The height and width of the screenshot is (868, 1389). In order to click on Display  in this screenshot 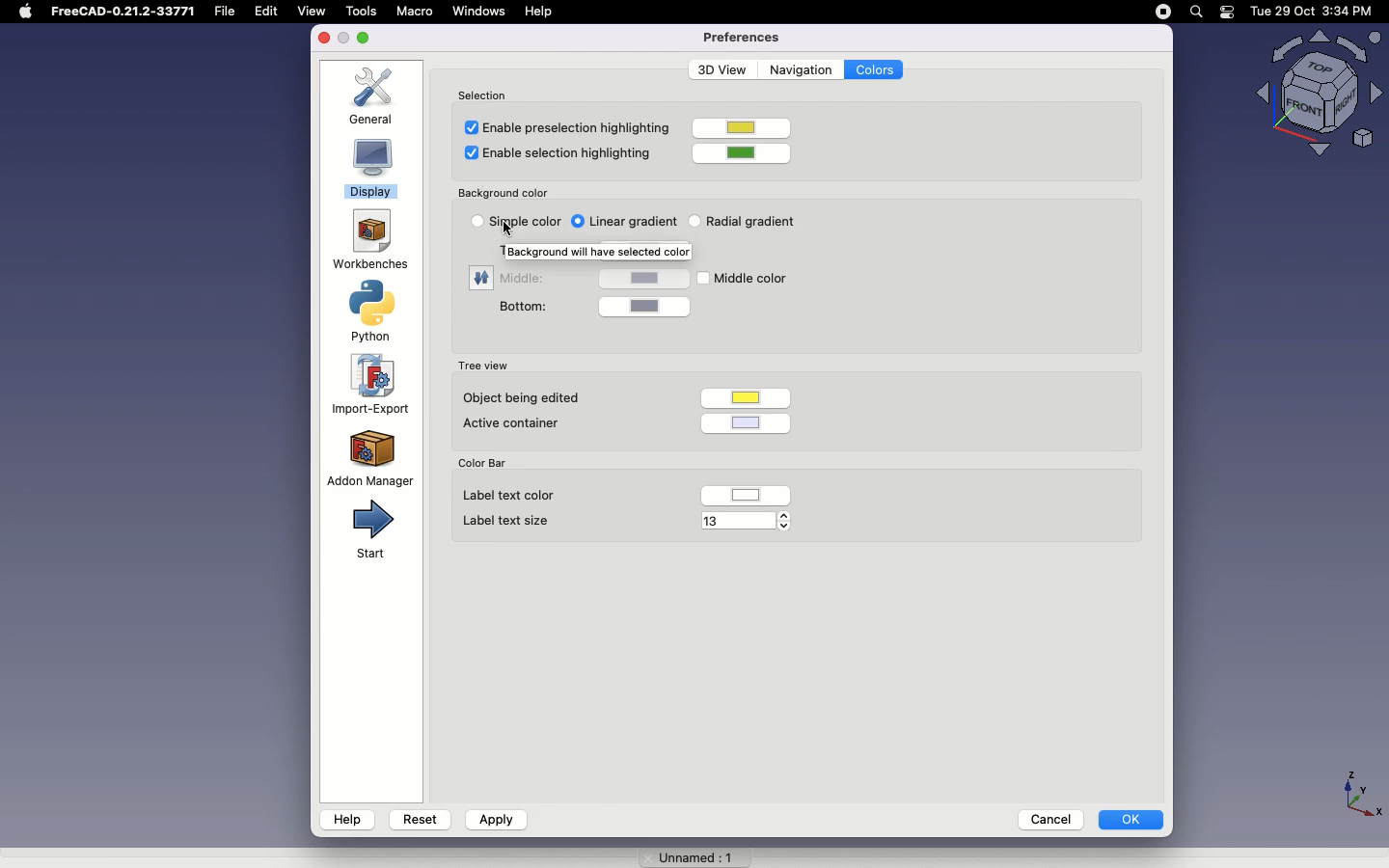, I will do `click(371, 171)`.